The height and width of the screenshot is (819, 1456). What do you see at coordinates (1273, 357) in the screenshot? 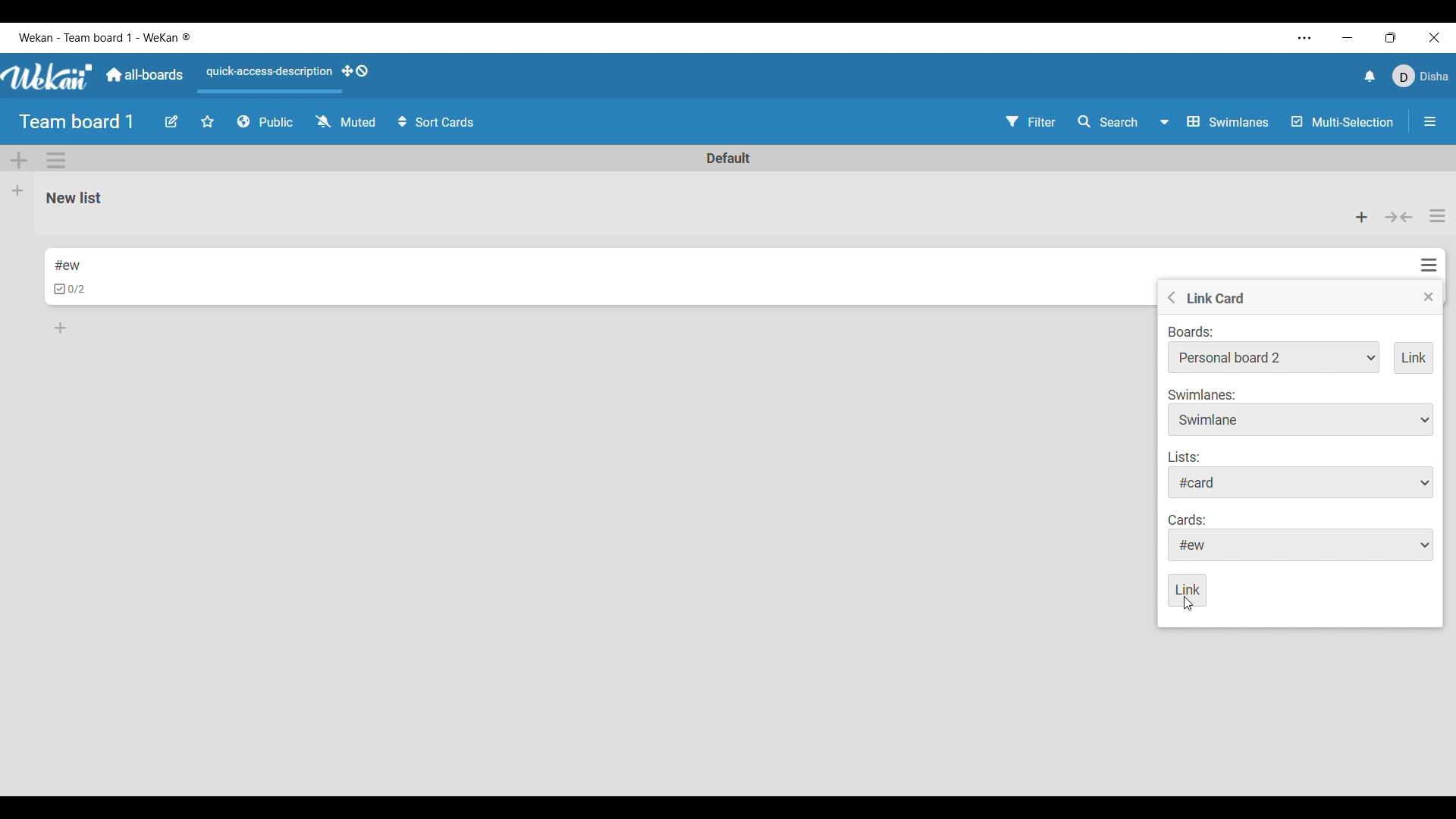
I see `Board options to link to` at bounding box center [1273, 357].